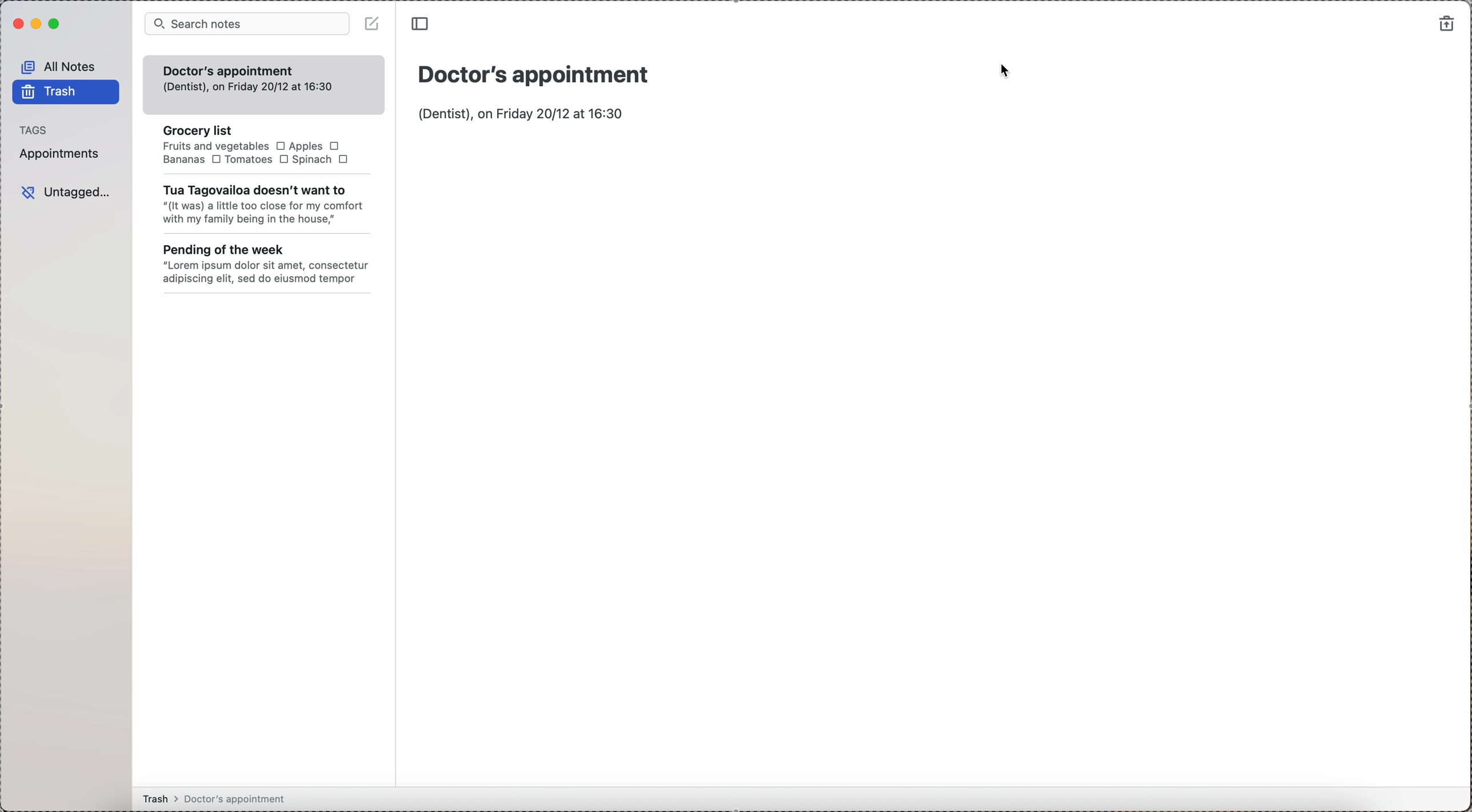 The height and width of the screenshot is (812, 1472). I want to click on maximize Simplenote, so click(55, 23).